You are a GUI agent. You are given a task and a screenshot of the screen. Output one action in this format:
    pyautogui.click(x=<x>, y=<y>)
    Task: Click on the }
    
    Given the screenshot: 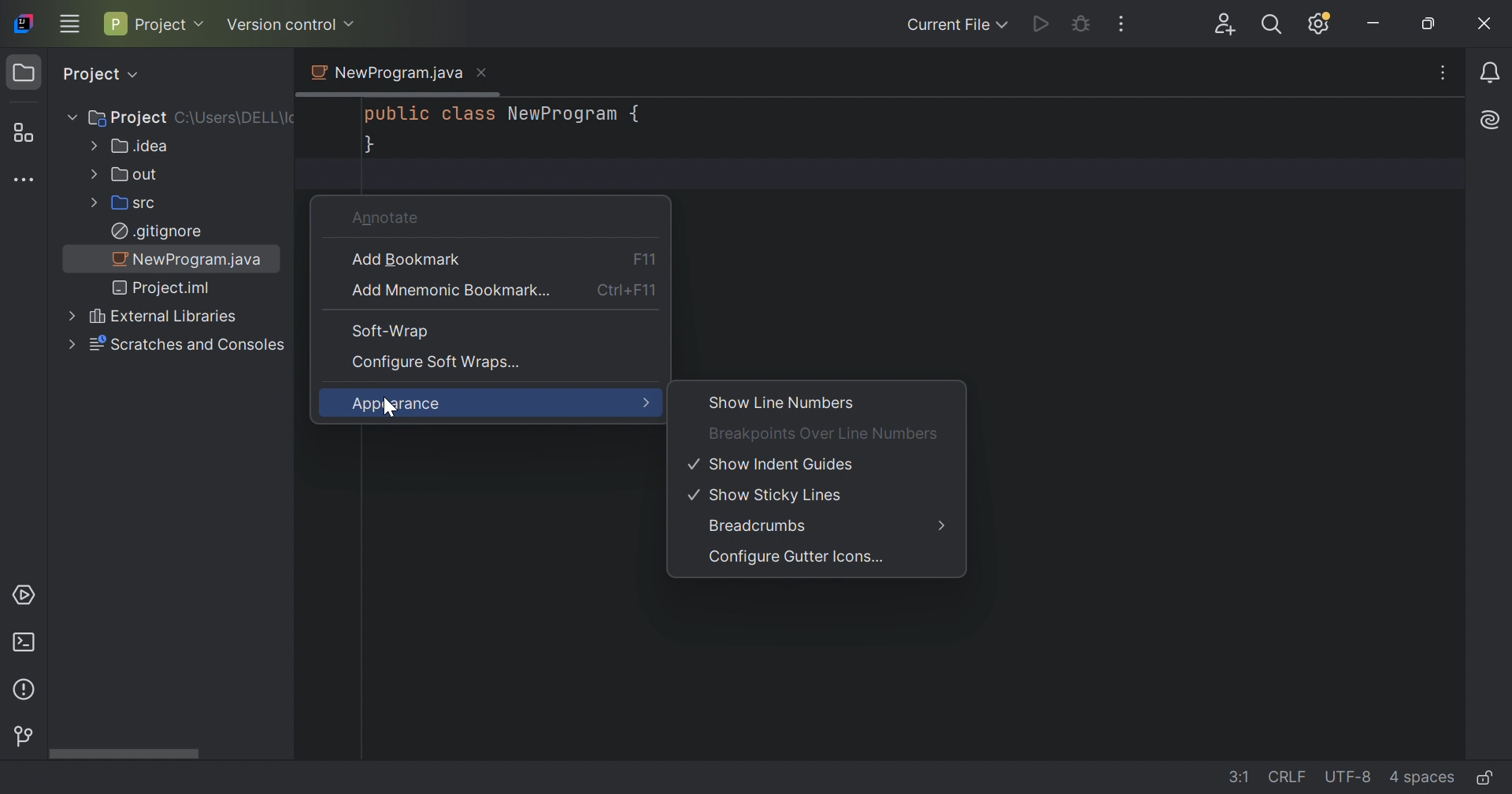 What is the action you would take?
    pyautogui.click(x=369, y=147)
    